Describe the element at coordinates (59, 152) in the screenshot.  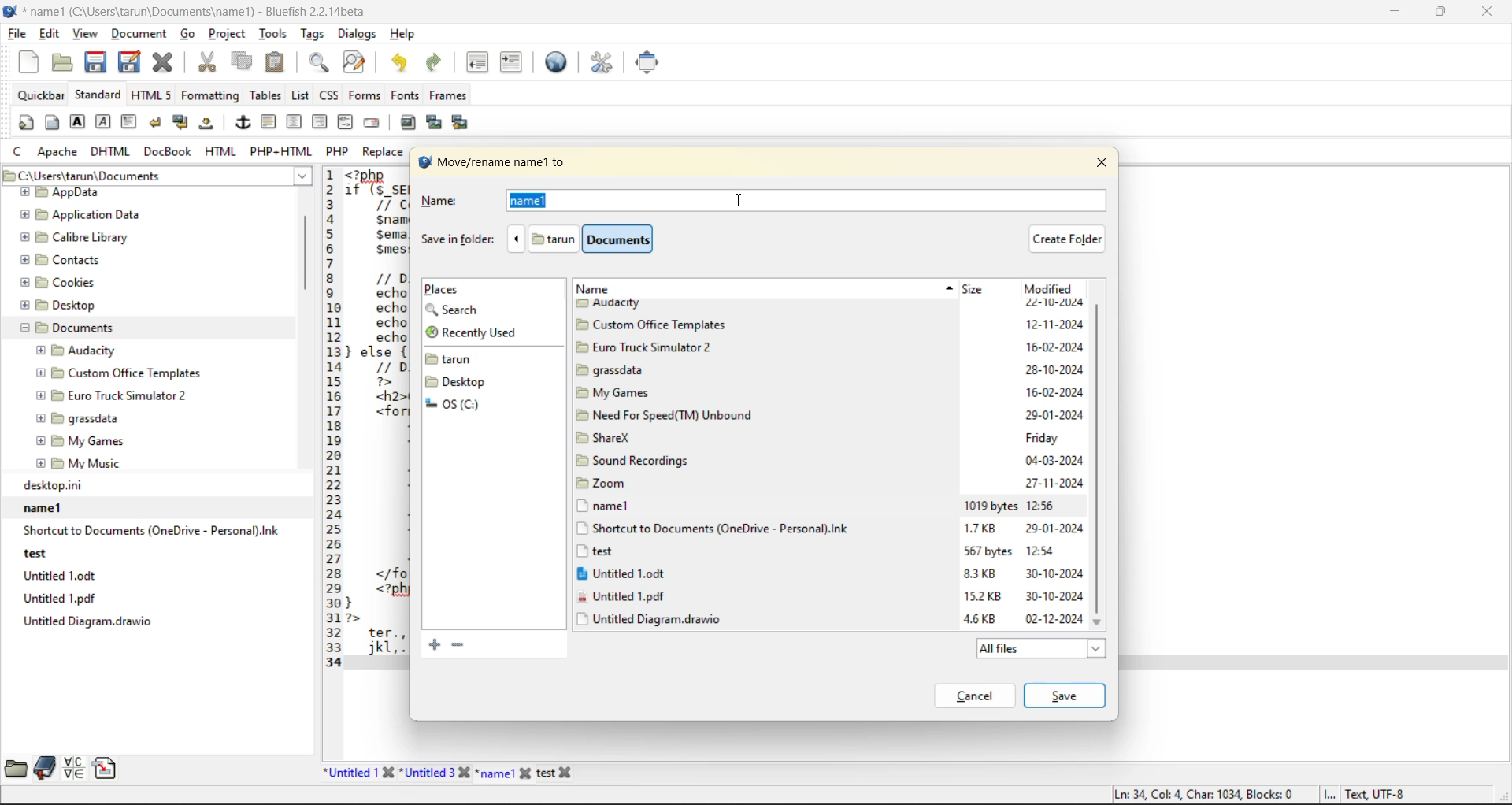
I see `apache` at that location.